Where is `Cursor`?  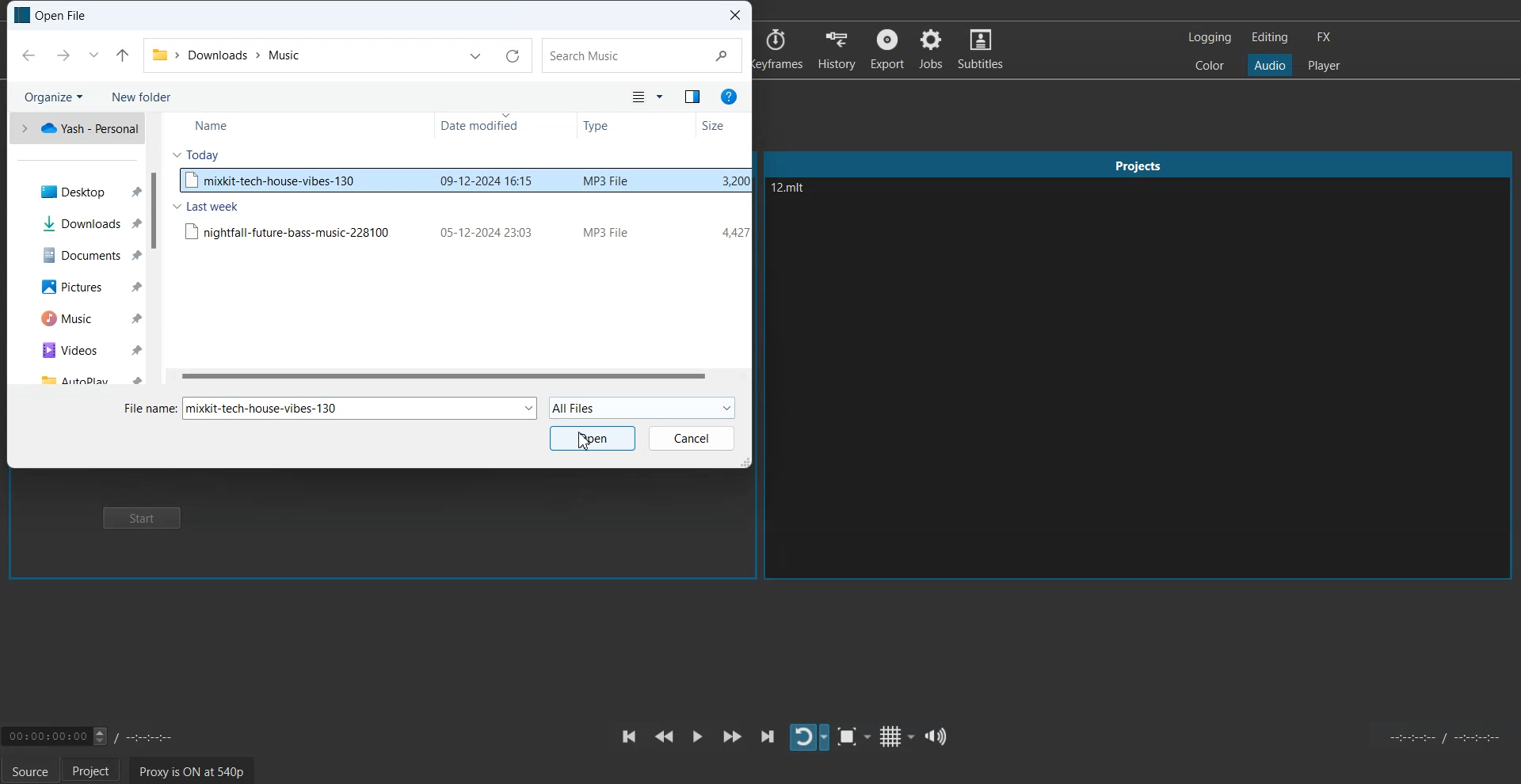
Cursor is located at coordinates (584, 440).